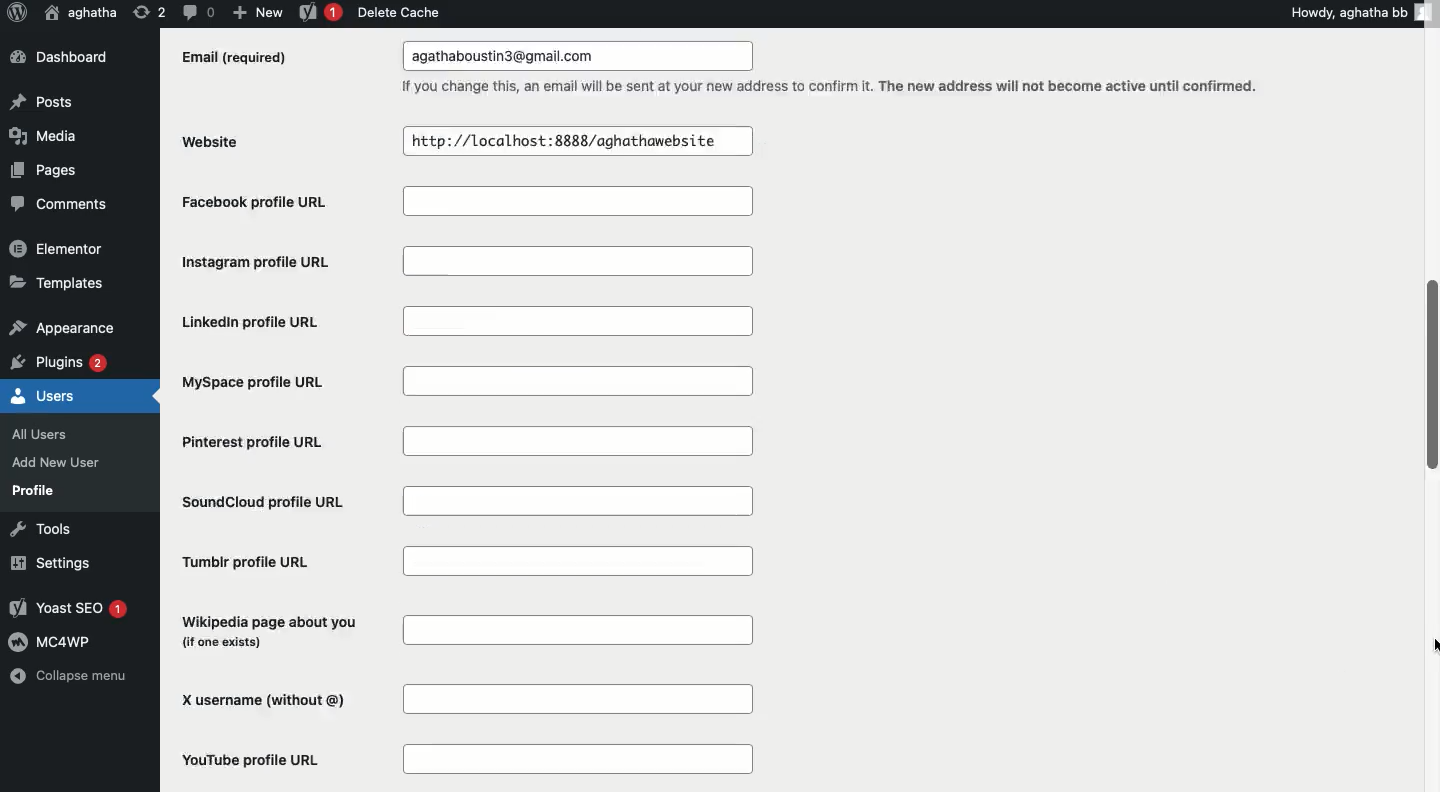 This screenshot has height=792, width=1440. I want to click on Dashboard, so click(68, 58).